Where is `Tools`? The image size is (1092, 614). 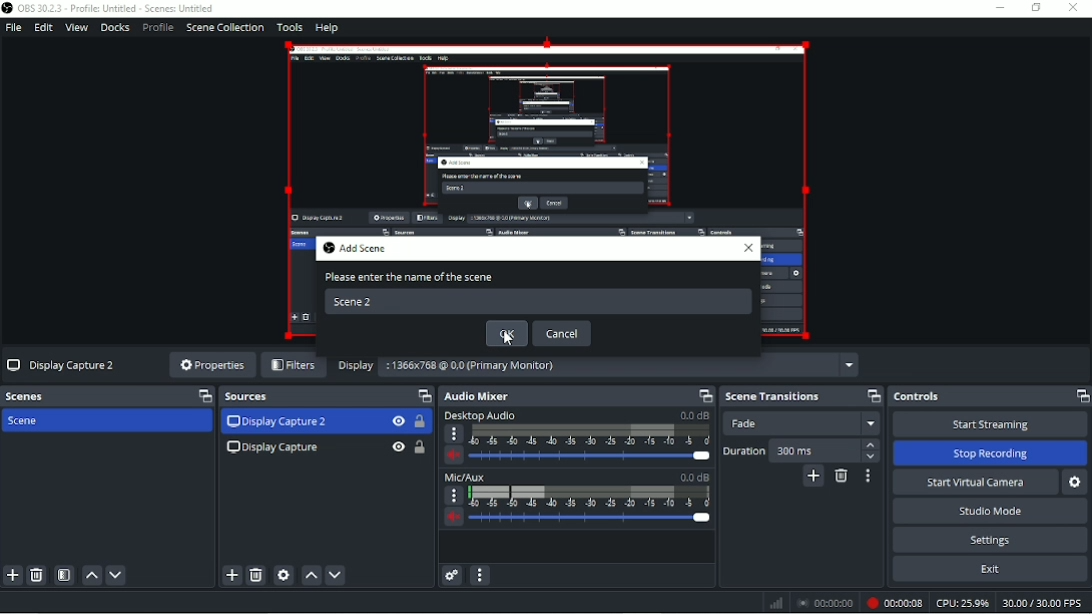
Tools is located at coordinates (287, 27).